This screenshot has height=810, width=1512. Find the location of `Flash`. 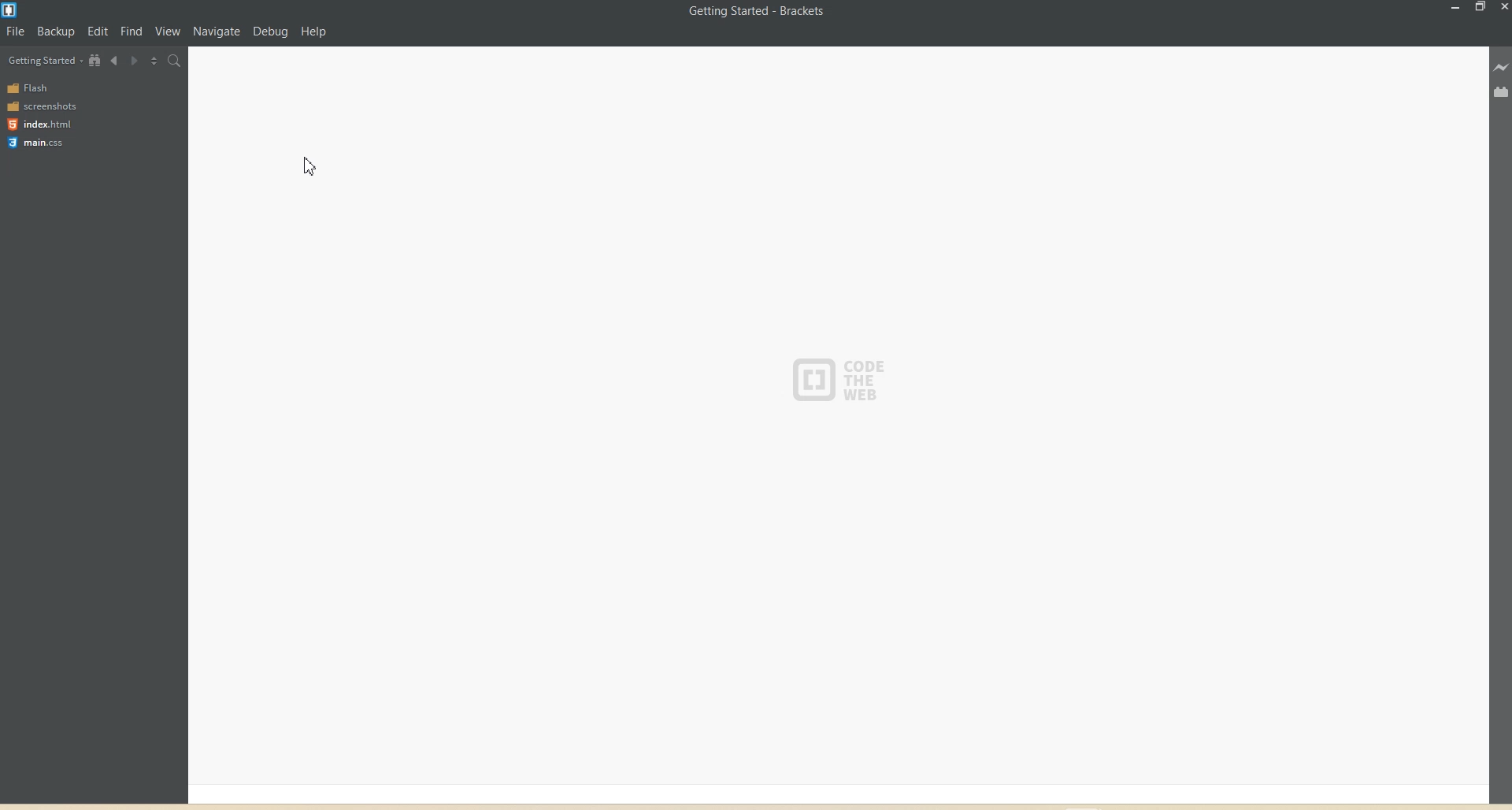

Flash is located at coordinates (31, 87).